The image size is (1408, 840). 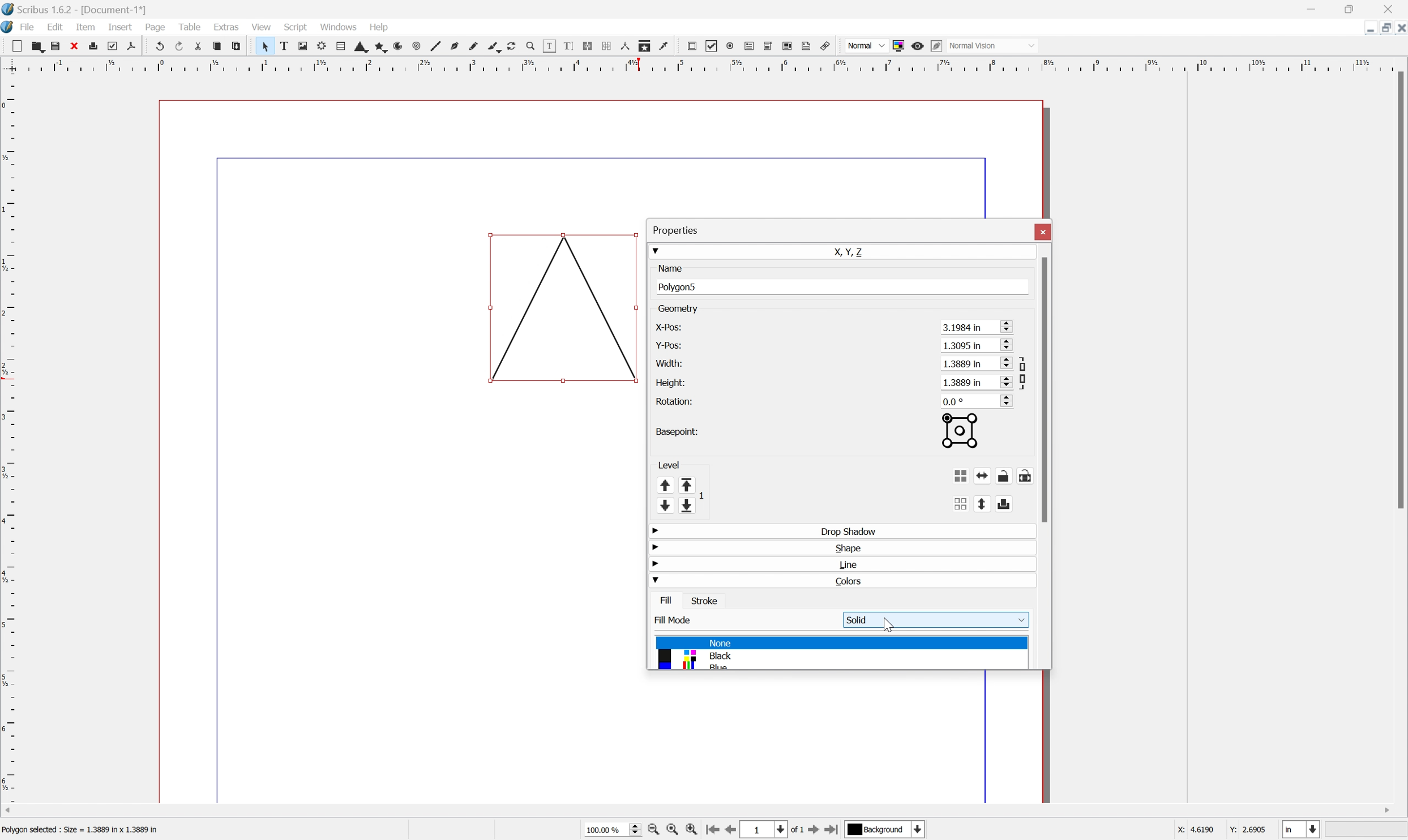 What do you see at coordinates (84, 27) in the screenshot?
I see `Item` at bounding box center [84, 27].